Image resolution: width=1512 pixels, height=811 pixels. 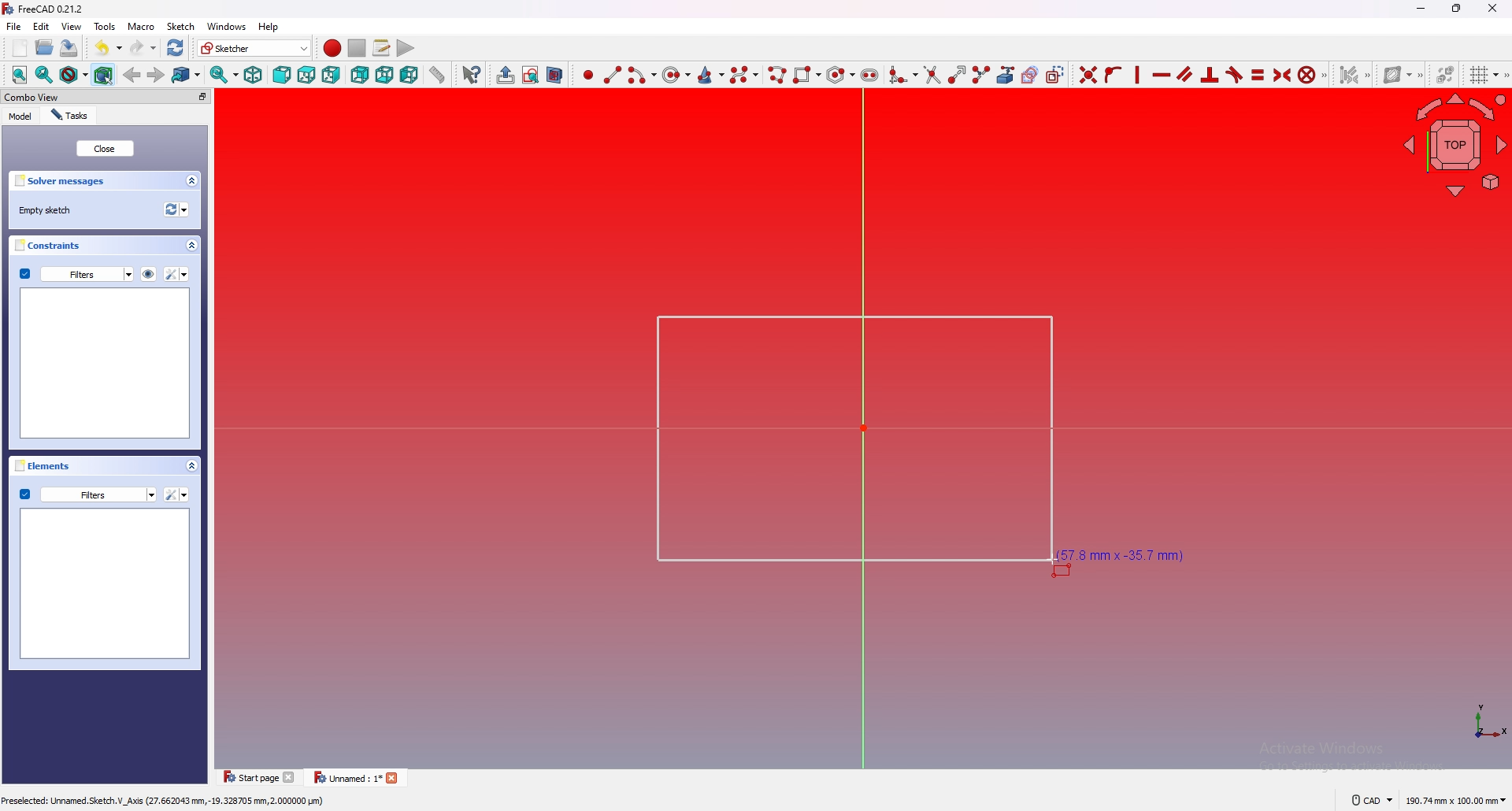 I want to click on macro, so click(x=140, y=25).